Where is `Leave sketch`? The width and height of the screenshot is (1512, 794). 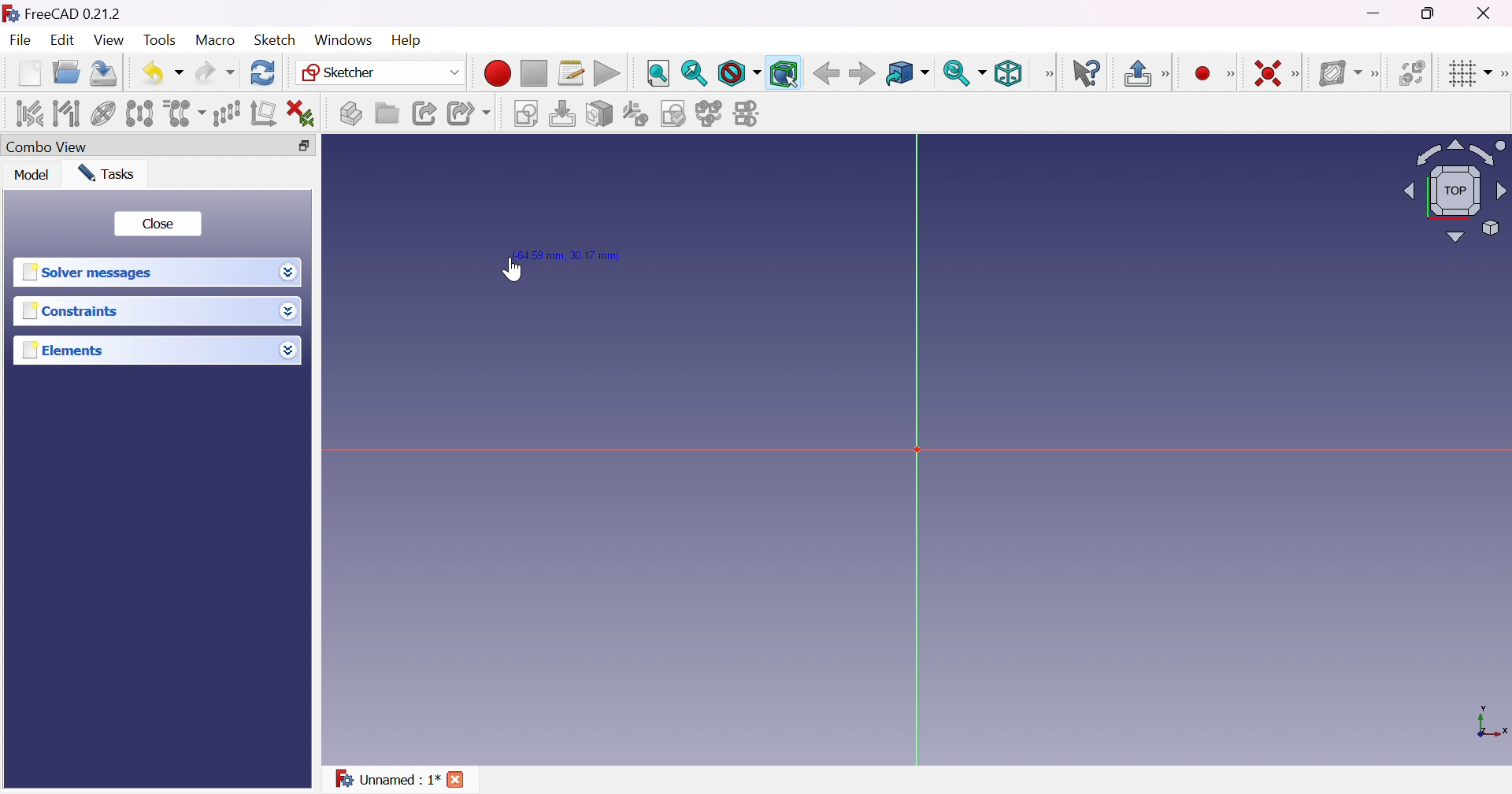 Leave sketch is located at coordinates (1136, 73).